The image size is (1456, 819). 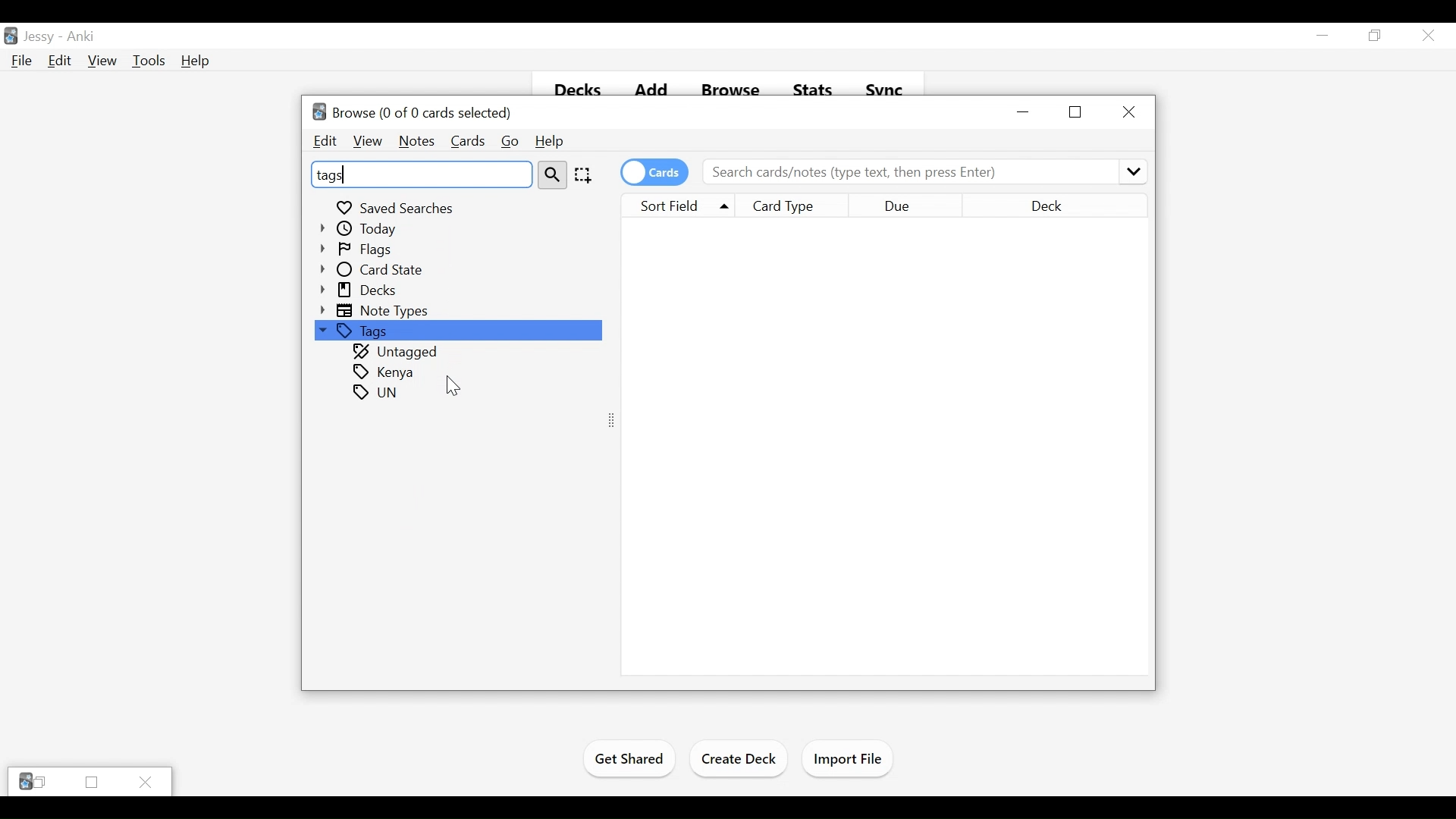 What do you see at coordinates (360, 290) in the screenshot?
I see `Decks` at bounding box center [360, 290].